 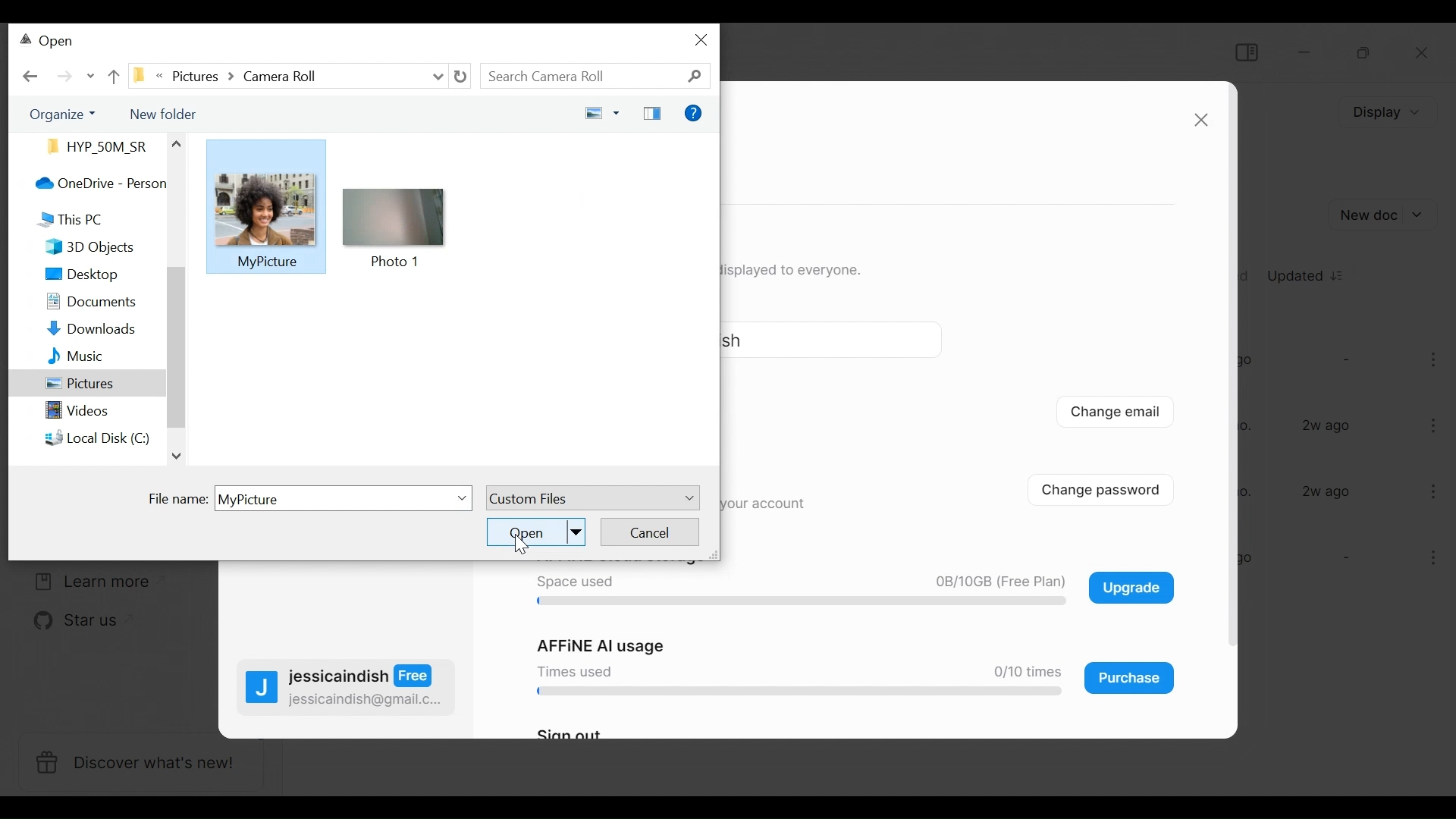 What do you see at coordinates (1116, 414) in the screenshot?
I see `Change email` at bounding box center [1116, 414].